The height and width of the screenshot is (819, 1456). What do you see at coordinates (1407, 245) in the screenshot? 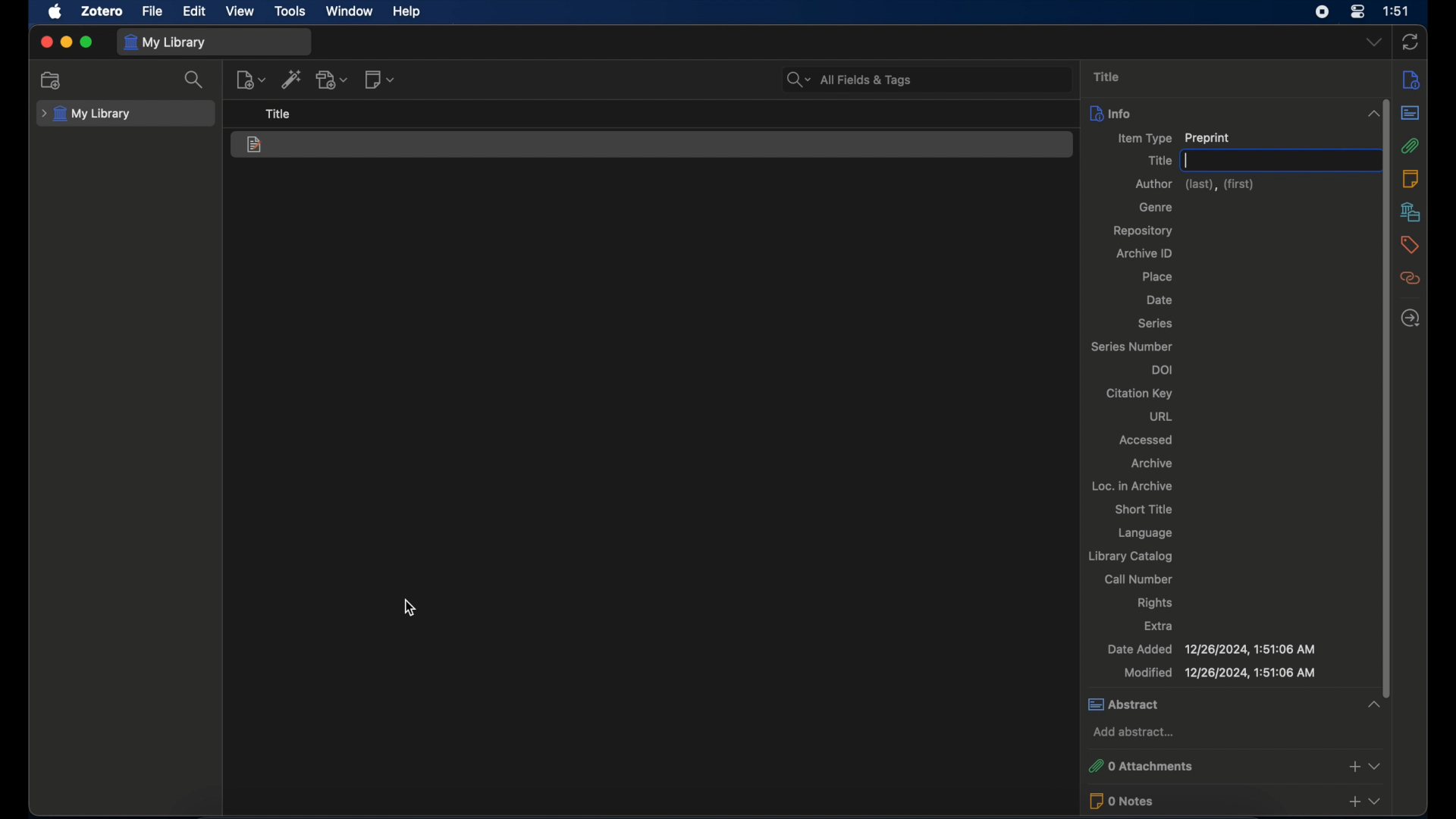
I see `tags` at bounding box center [1407, 245].